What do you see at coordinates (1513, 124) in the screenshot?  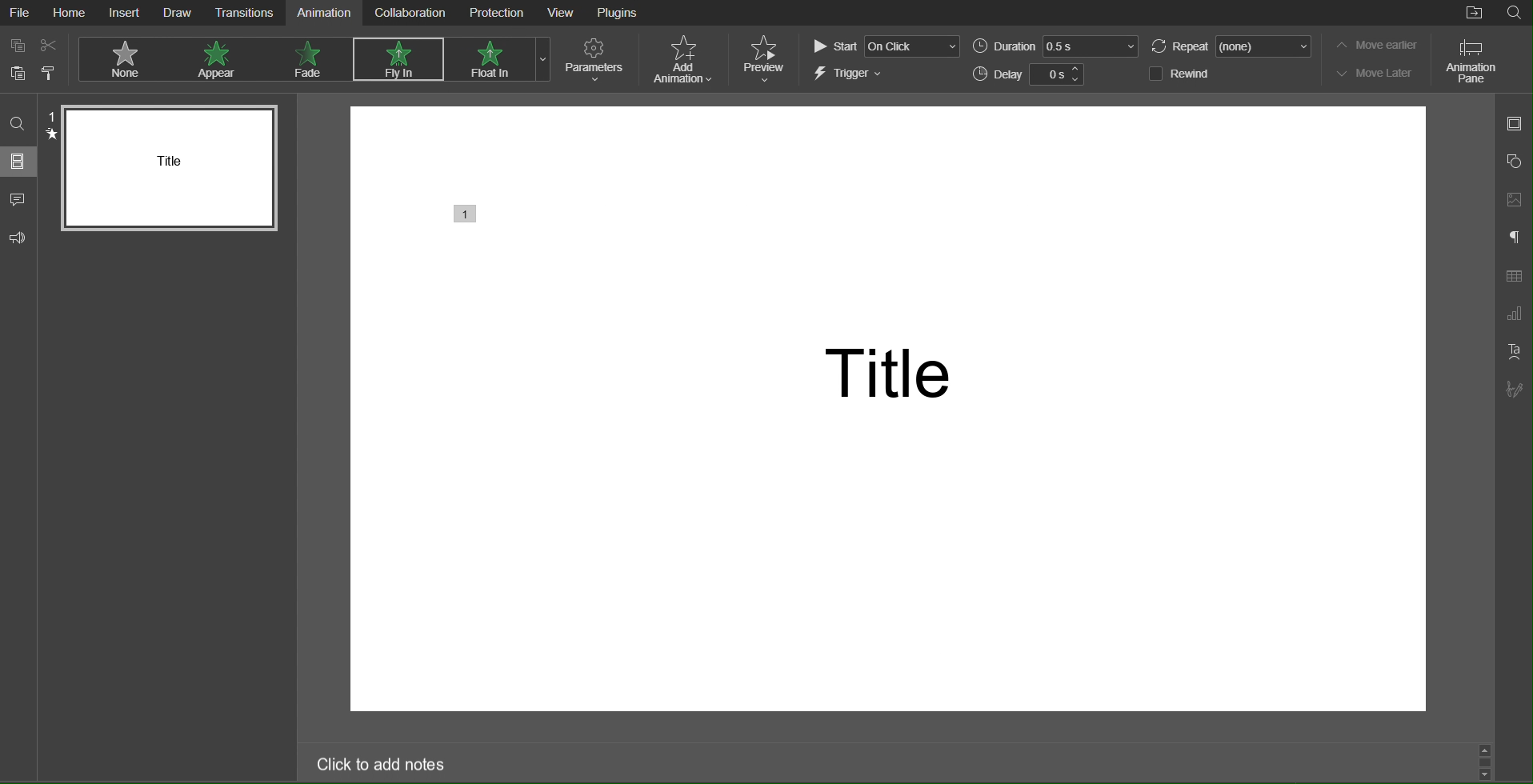 I see `Slide Settings` at bounding box center [1513, 124].